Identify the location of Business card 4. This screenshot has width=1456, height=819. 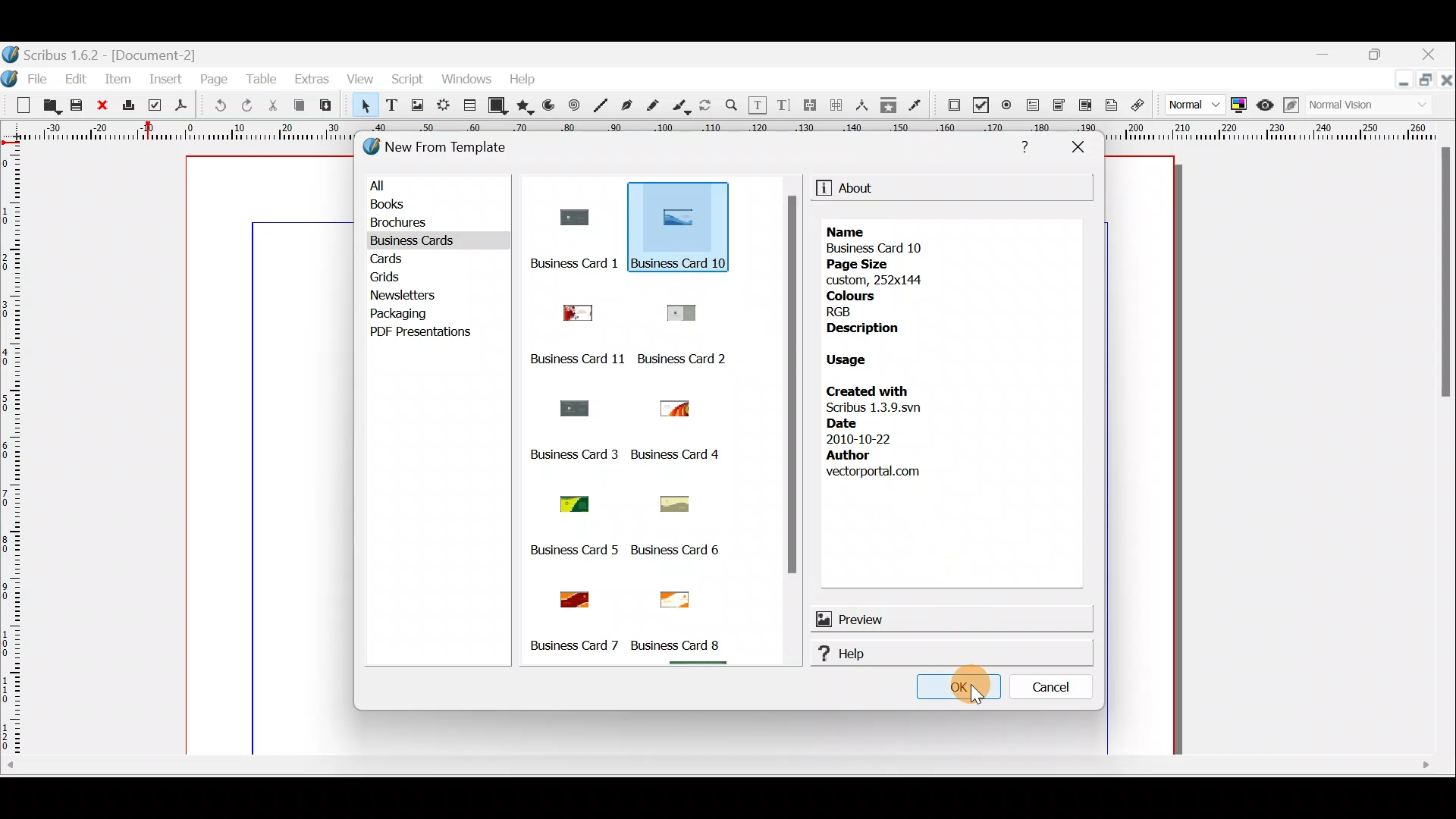
(682, 455).